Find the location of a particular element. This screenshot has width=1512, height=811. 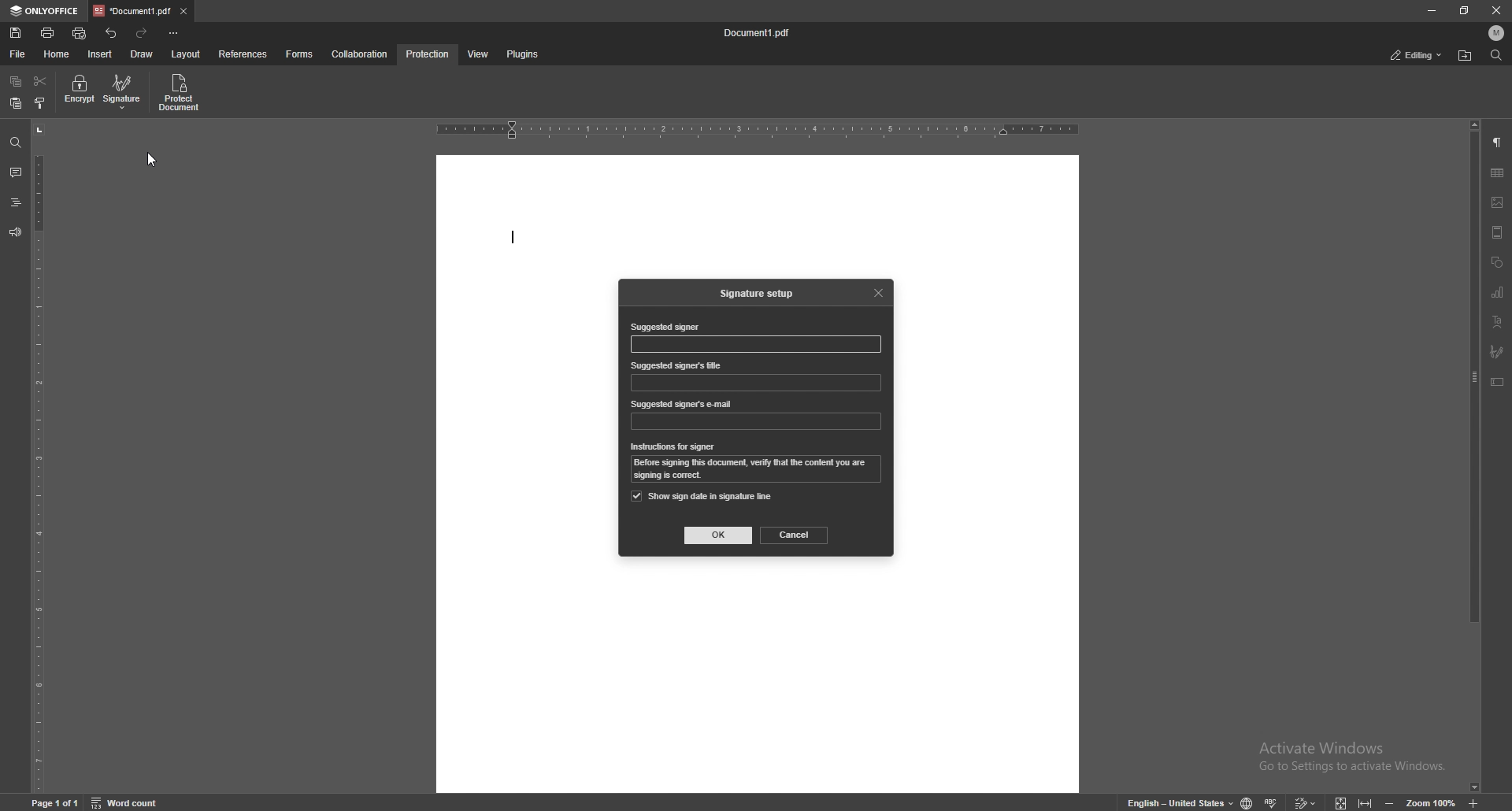

track changes is located at coordinates (1303, 801).